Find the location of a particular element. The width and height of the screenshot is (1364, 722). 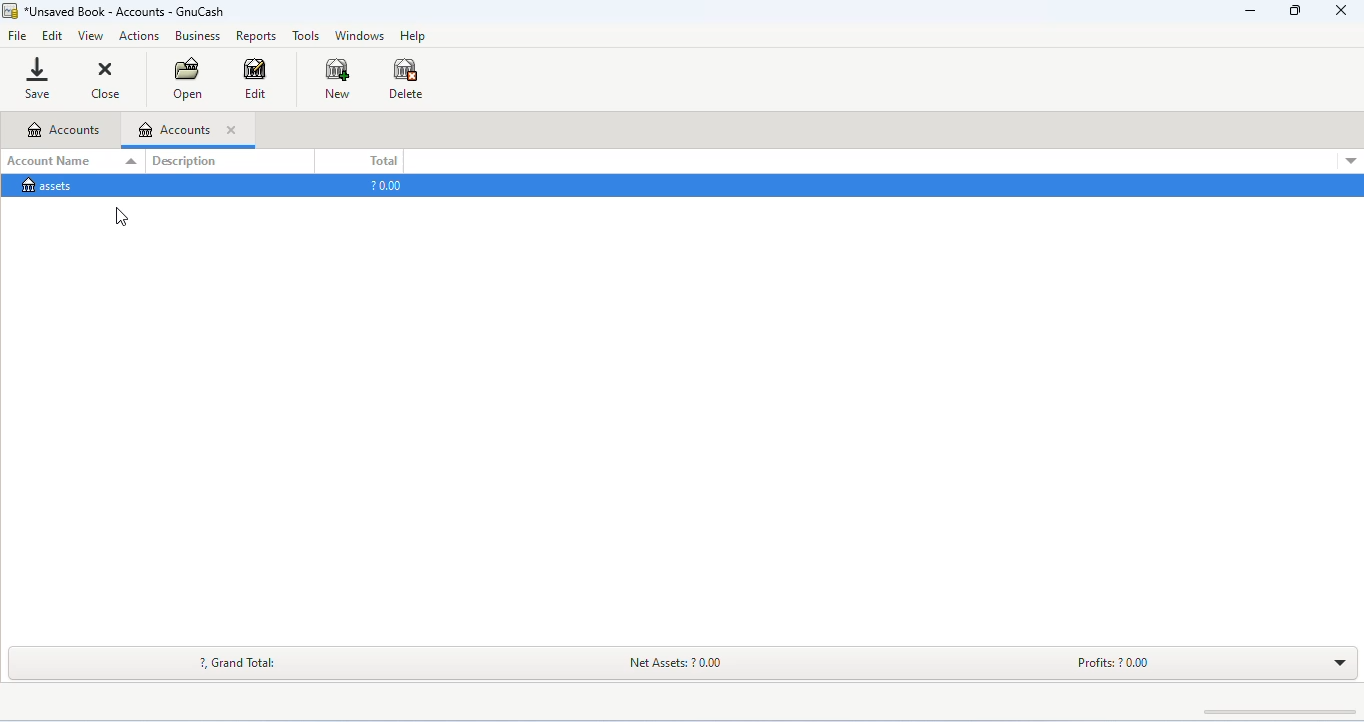

drop down is located at coordinates (1348, 160).